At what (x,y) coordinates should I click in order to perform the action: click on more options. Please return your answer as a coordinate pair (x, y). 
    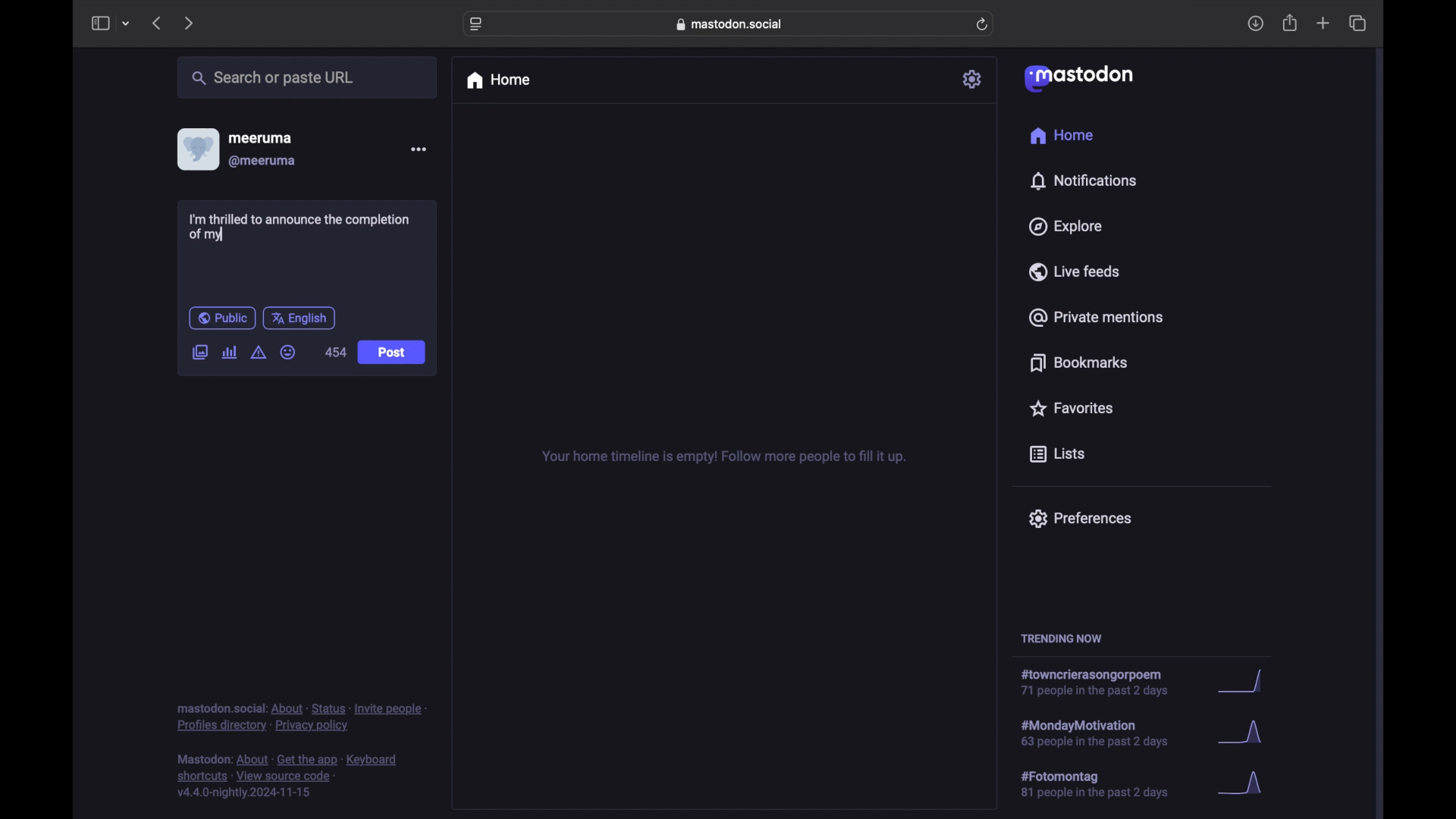
    Looking at the image, I should click on (418, 149).